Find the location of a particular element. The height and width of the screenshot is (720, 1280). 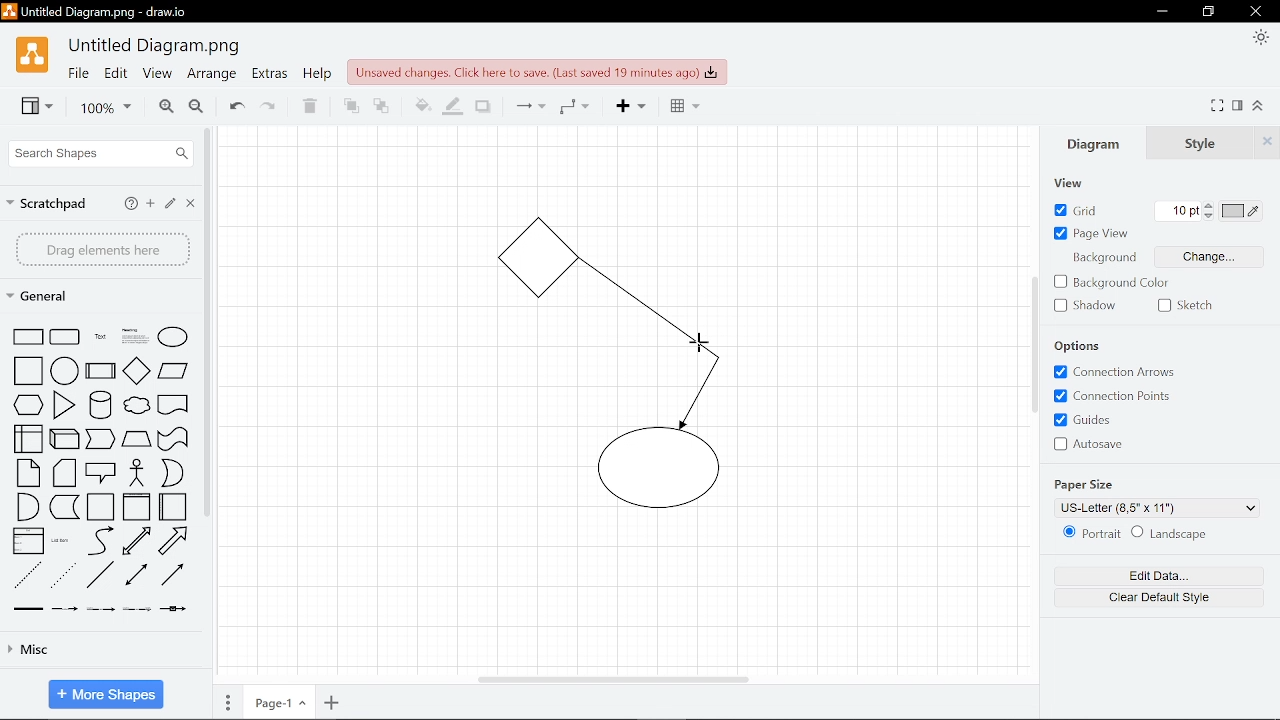

checkbox is located at coordinates (1059, 443).